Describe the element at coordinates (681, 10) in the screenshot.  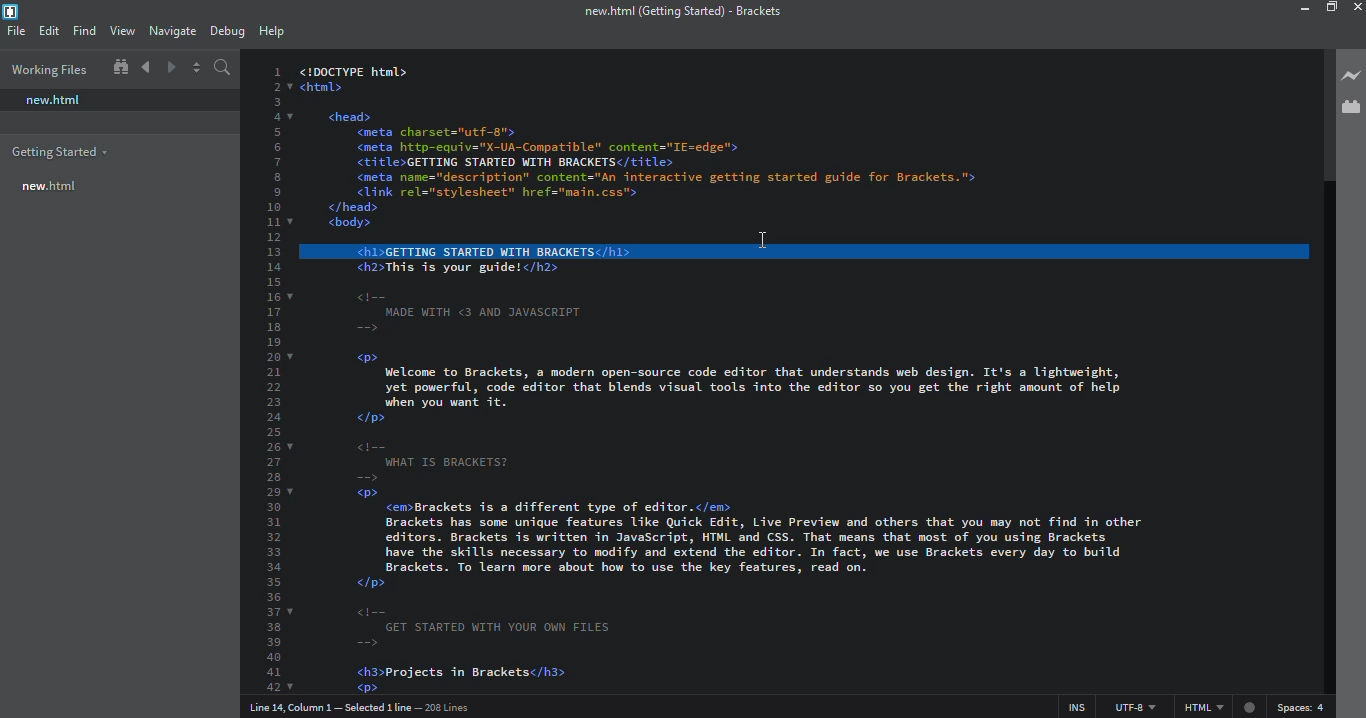
I see `brackets` at that location.